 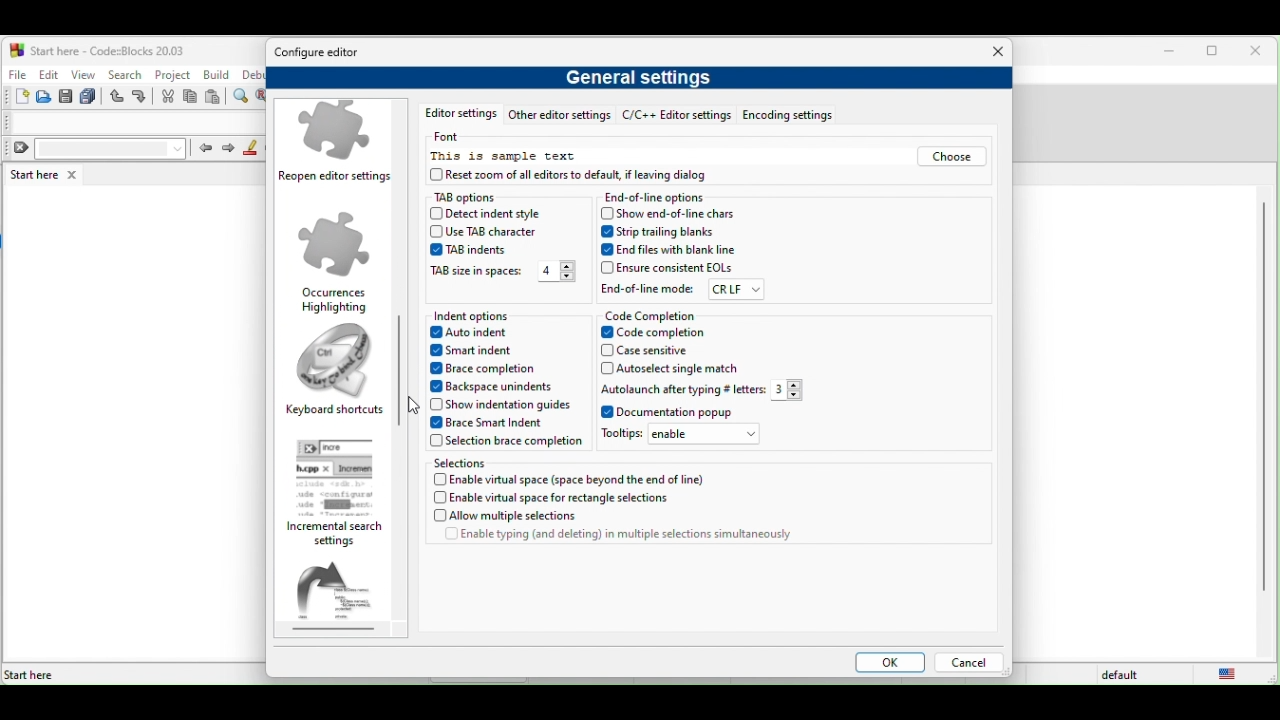 What do you see at coordinates (30, 675) in the screenshot?
I see `Start here` at bounding box center [30, 675].